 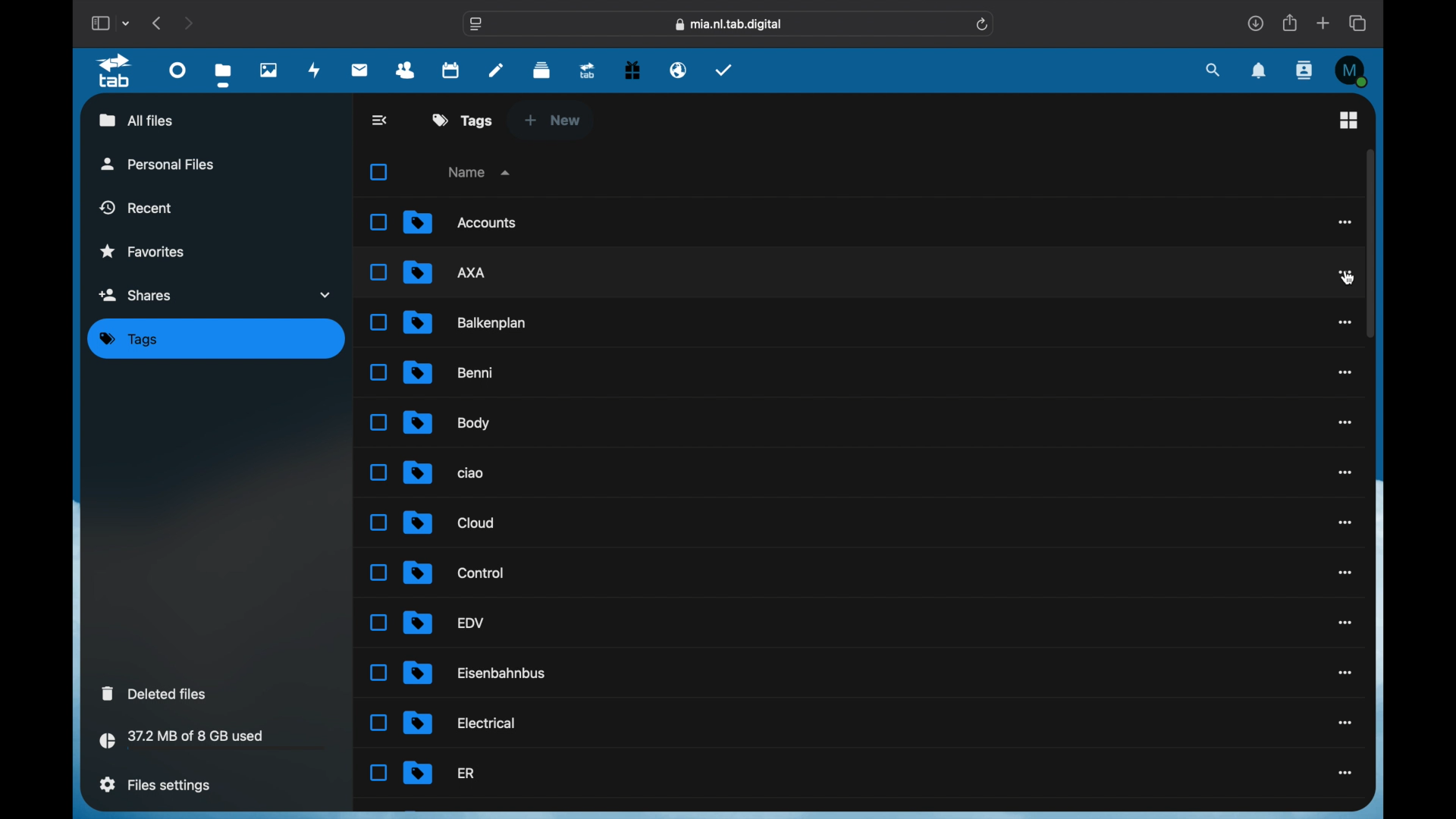 I want to click on contacts, so click(x=406, y=71).